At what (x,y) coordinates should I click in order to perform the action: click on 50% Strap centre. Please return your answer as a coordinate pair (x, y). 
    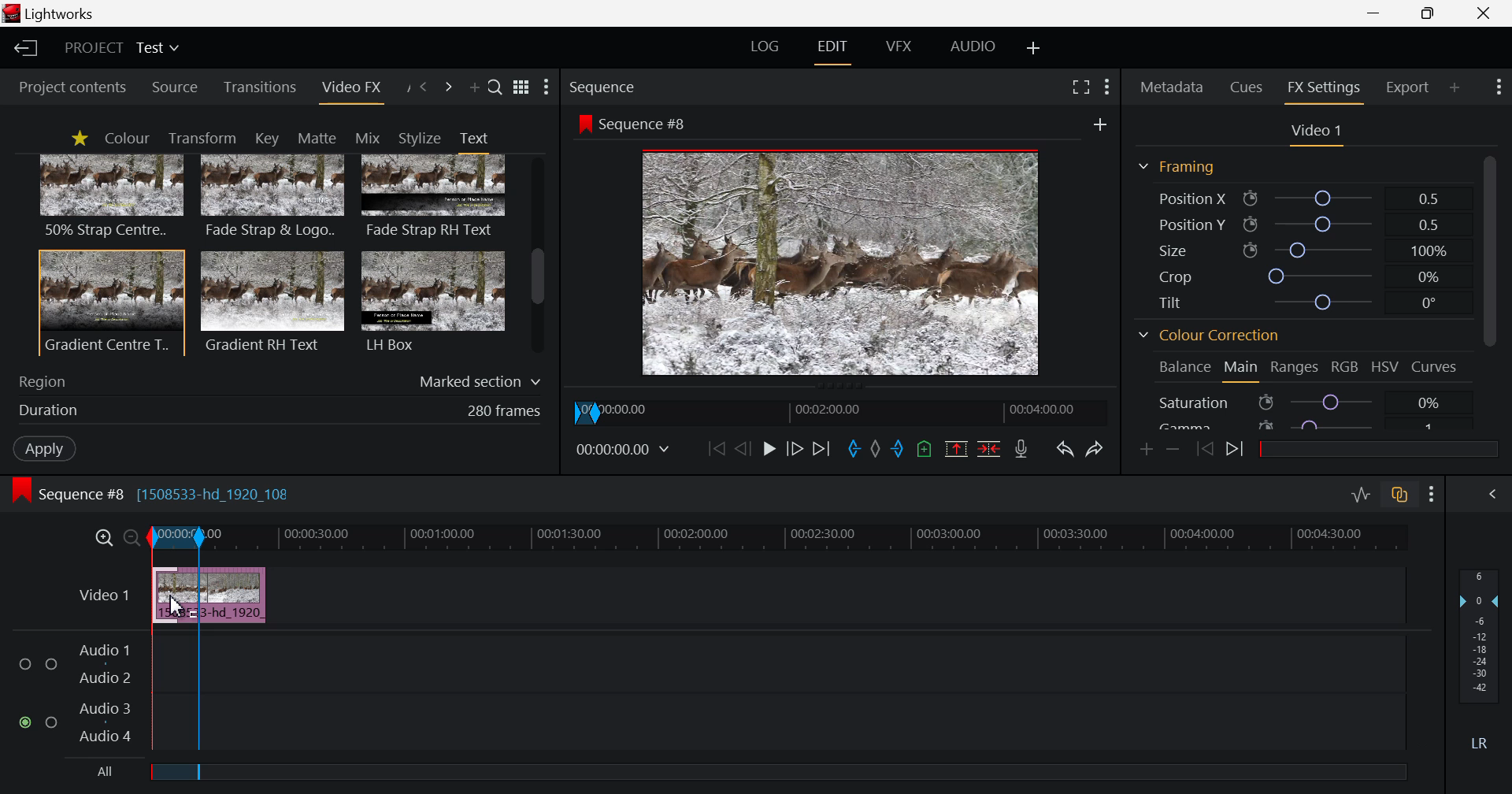
    Looking at the image, I should click on (113, 195).